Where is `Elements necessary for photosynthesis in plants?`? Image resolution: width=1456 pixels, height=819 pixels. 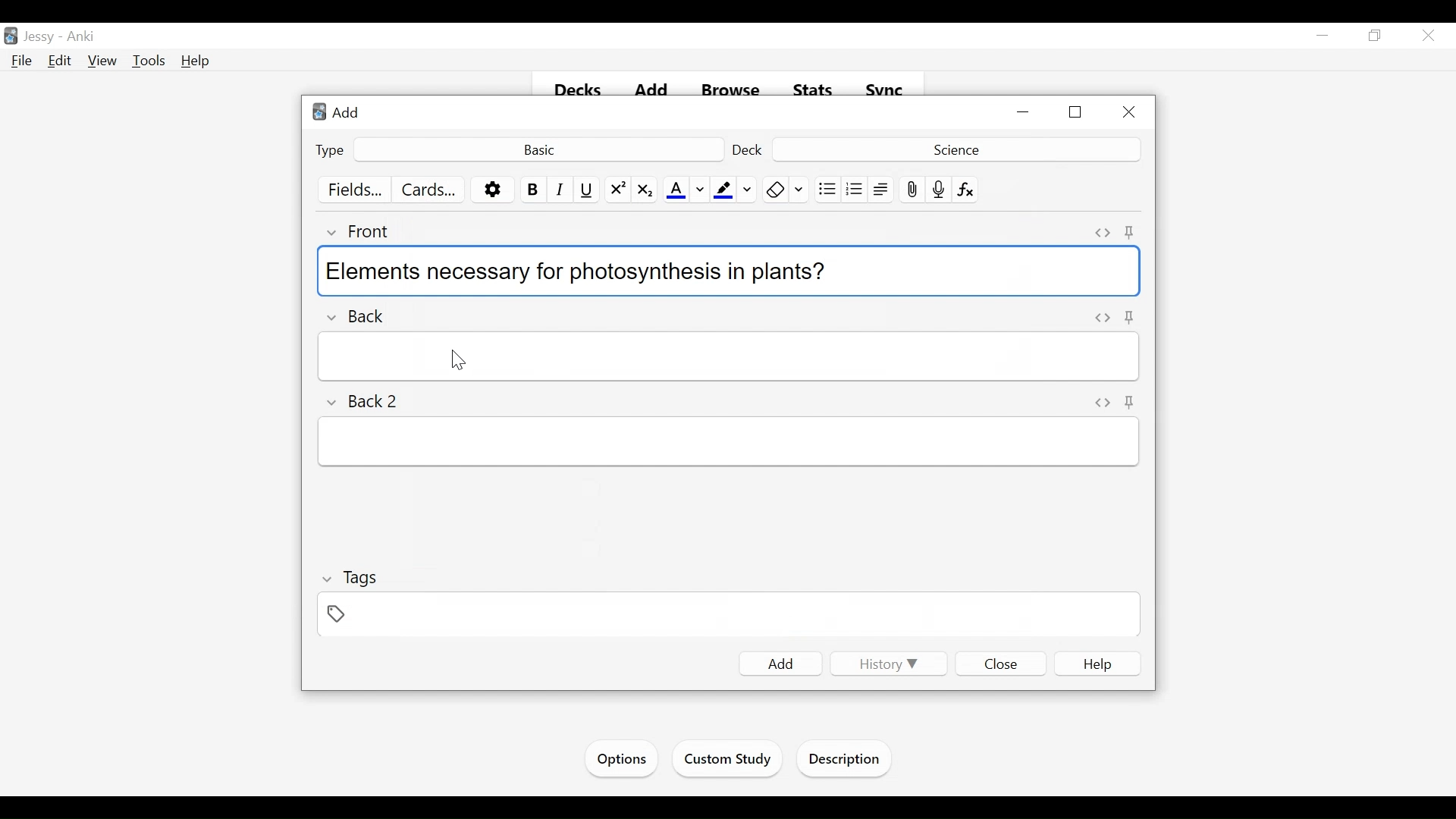
Elements necessary for photosynthesis in plants? is located at coordinates (726, 269).